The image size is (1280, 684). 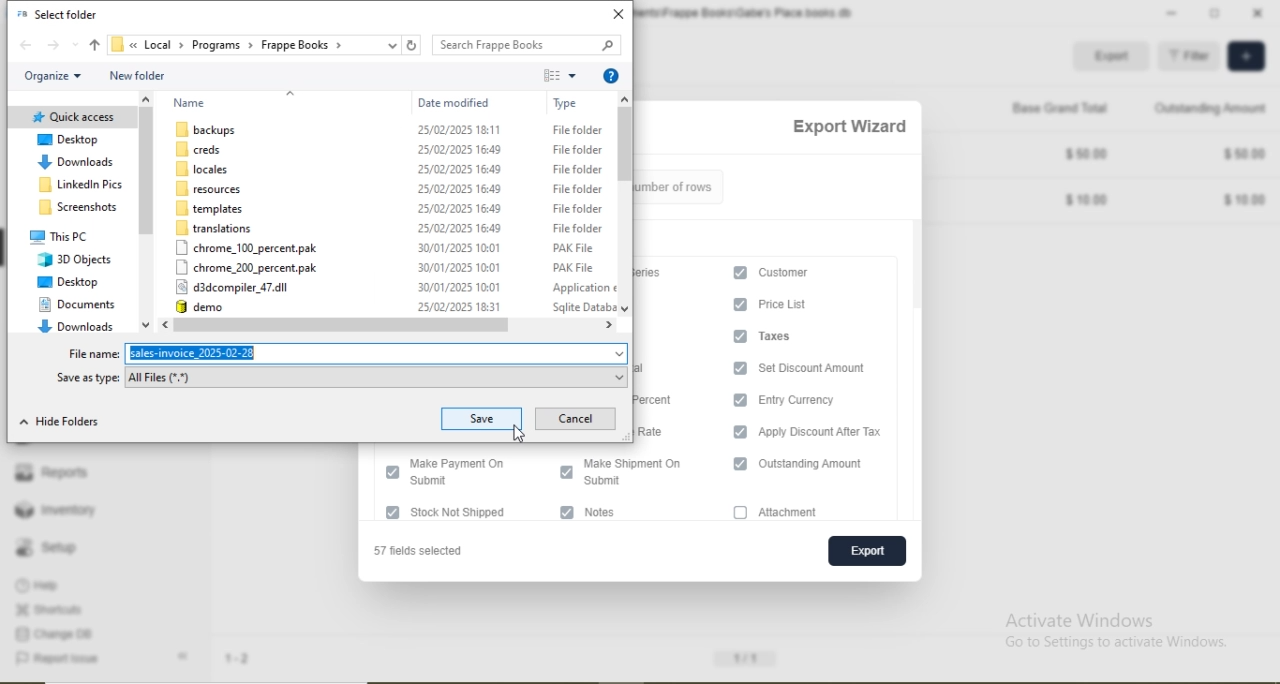 I want to click on backups, so click(x=210, y=130).